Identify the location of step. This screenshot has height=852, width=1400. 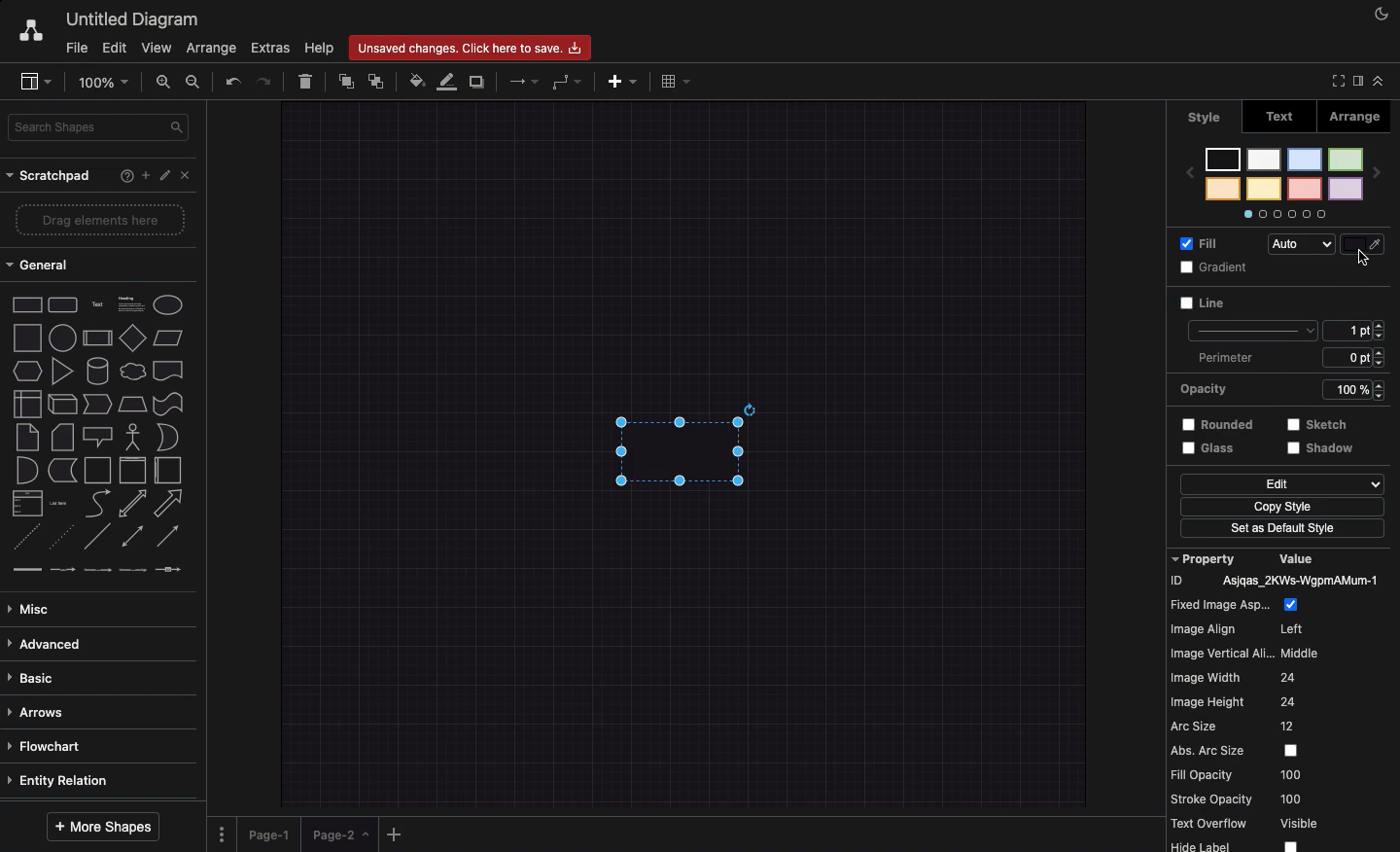
(95, 403).